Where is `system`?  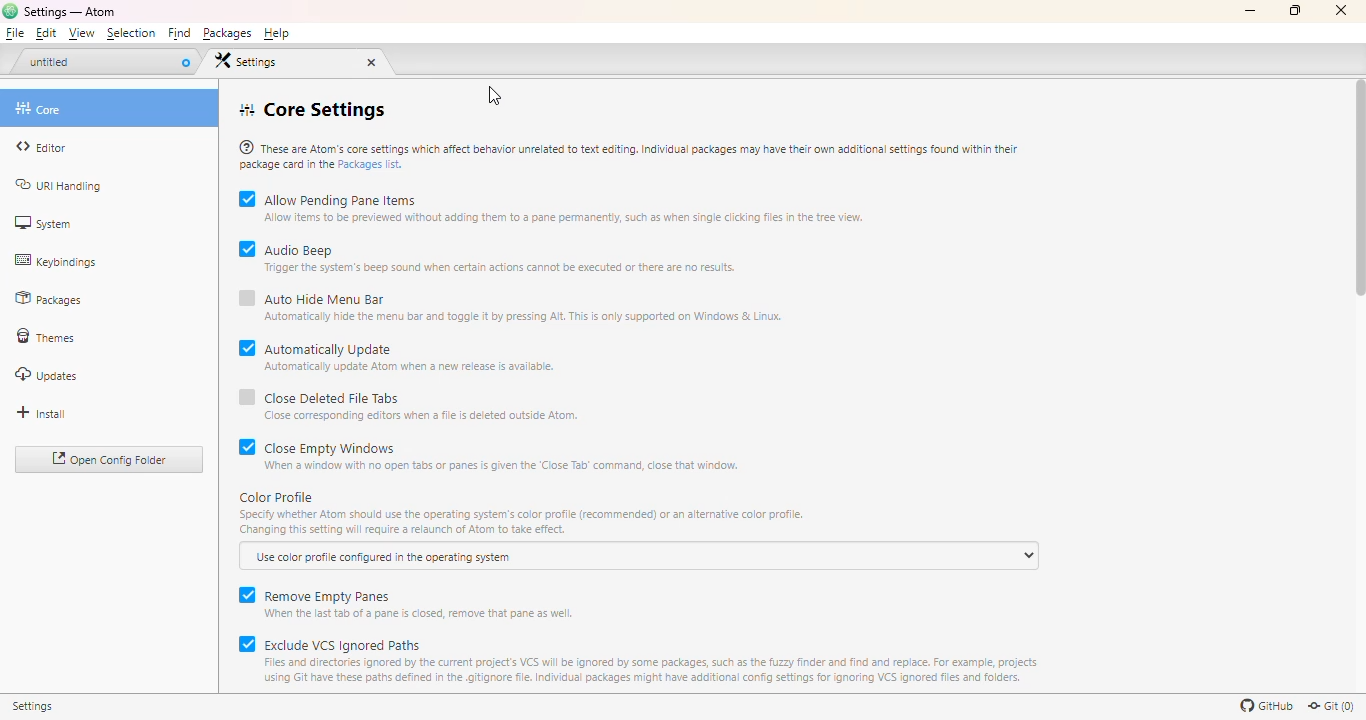
system is located at coordinates (42, 222).